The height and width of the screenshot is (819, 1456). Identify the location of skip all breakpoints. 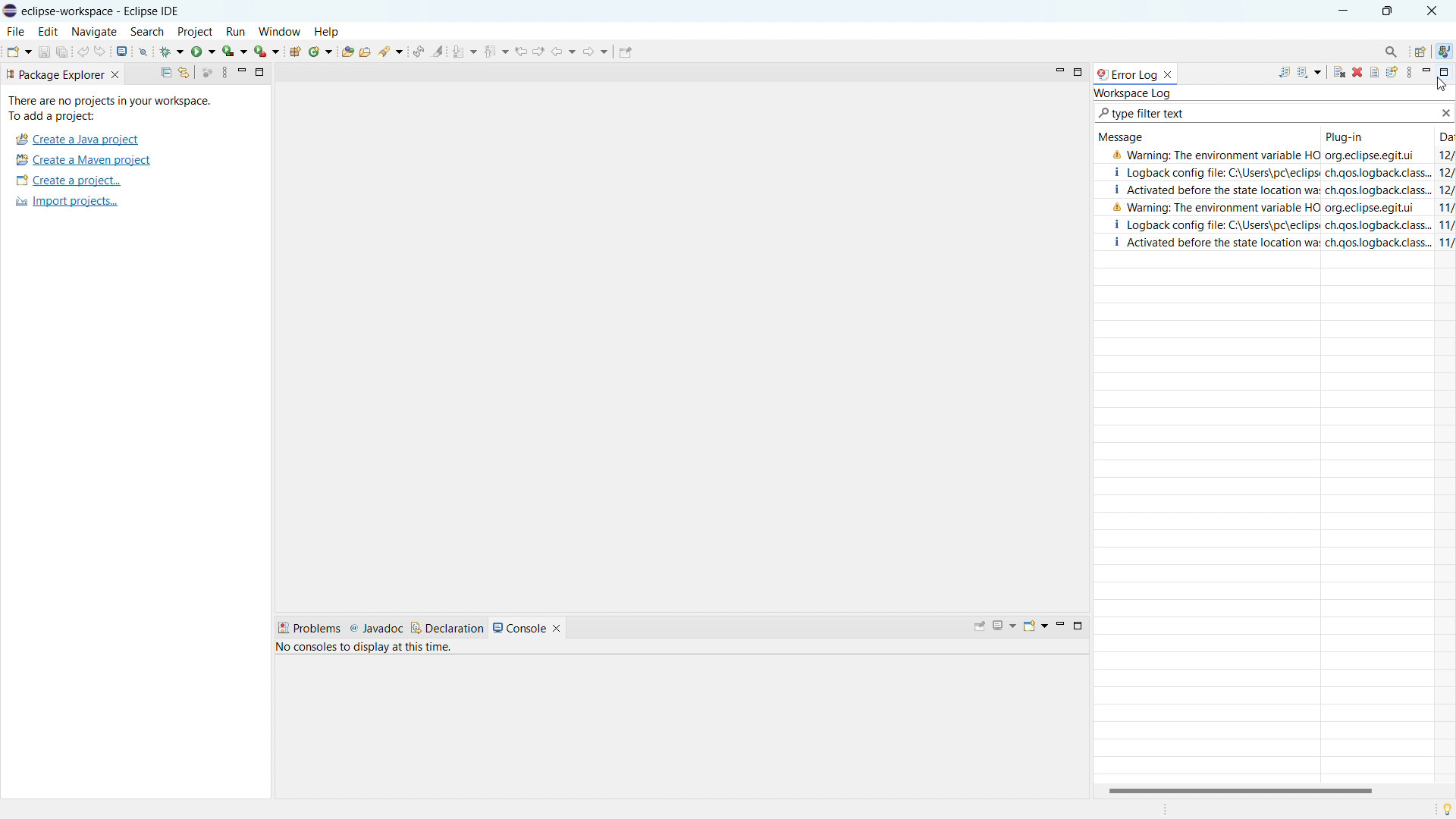
(144, 52).